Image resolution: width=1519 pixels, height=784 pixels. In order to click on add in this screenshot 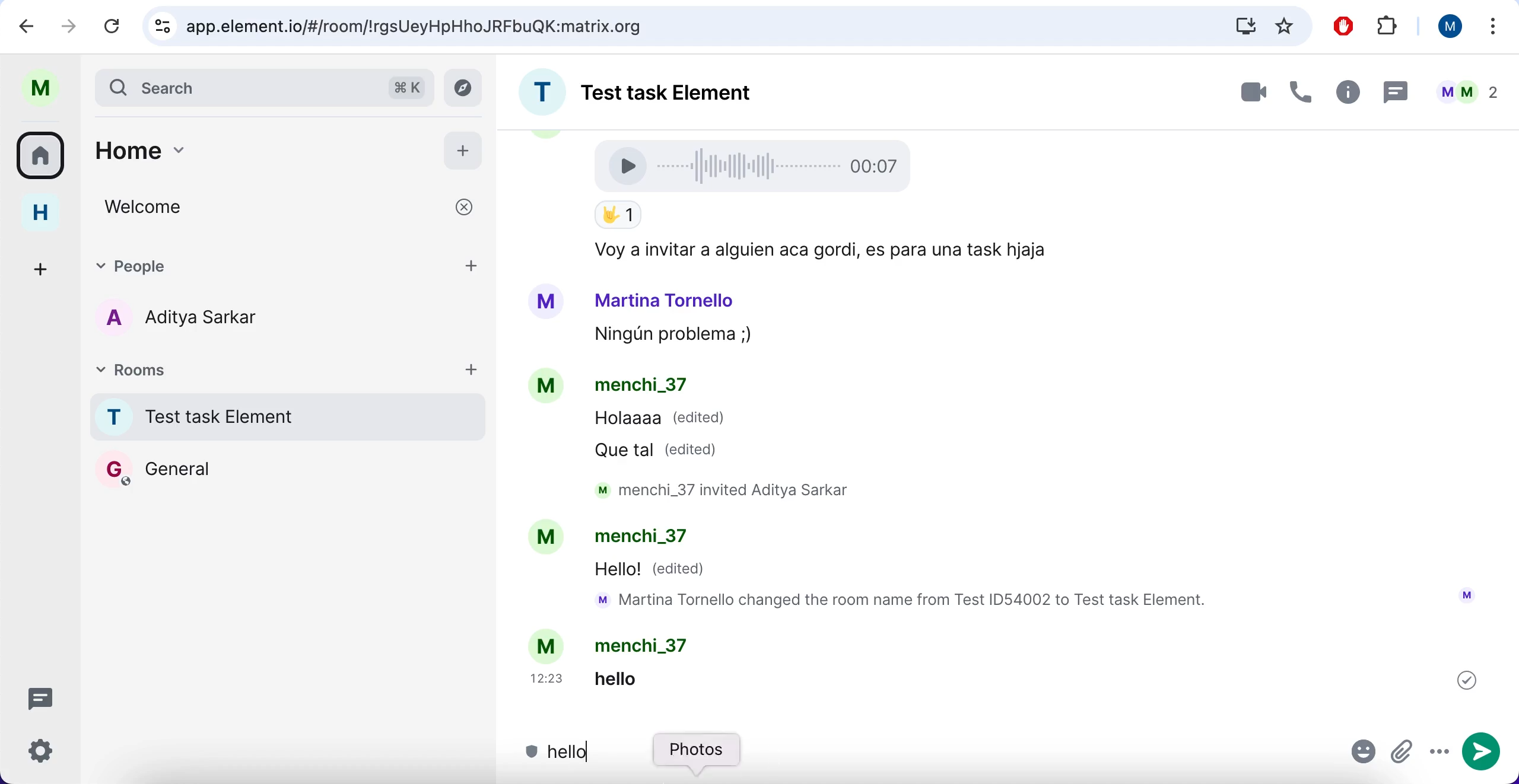, I will do `click(473, 264)`.